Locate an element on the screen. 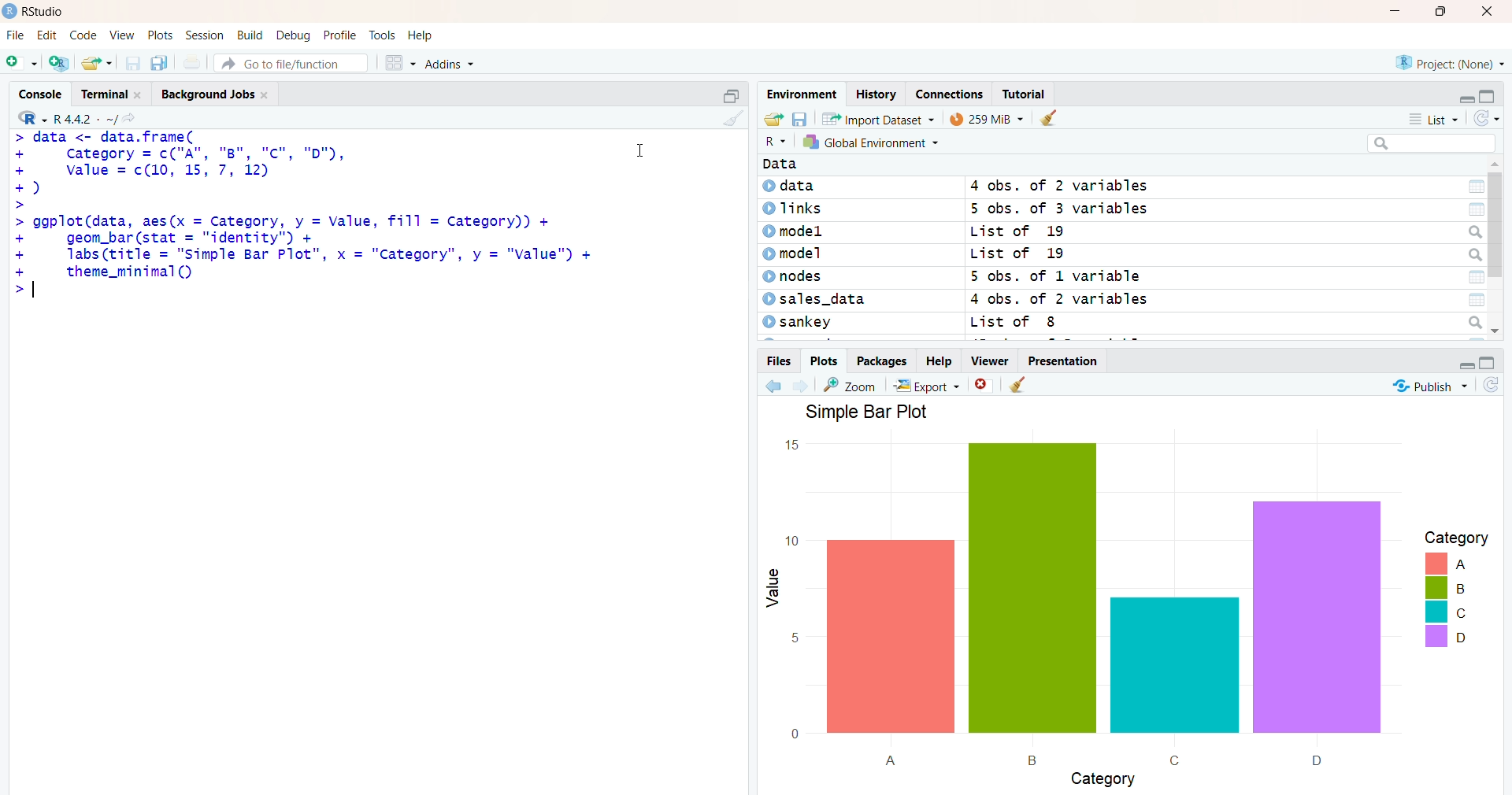 The width and height of the screenshot is (1512, 795). refresh is located at coordinates (1491, 385).